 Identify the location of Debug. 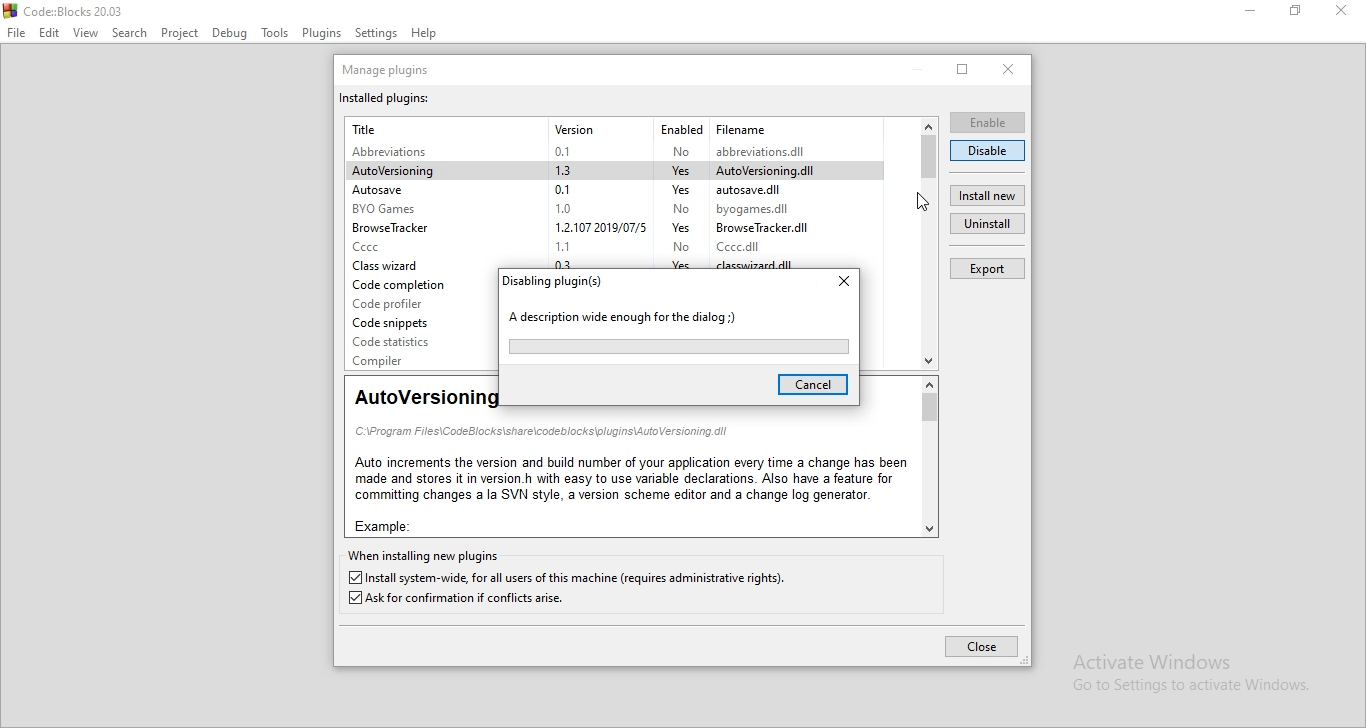
(230, 34).